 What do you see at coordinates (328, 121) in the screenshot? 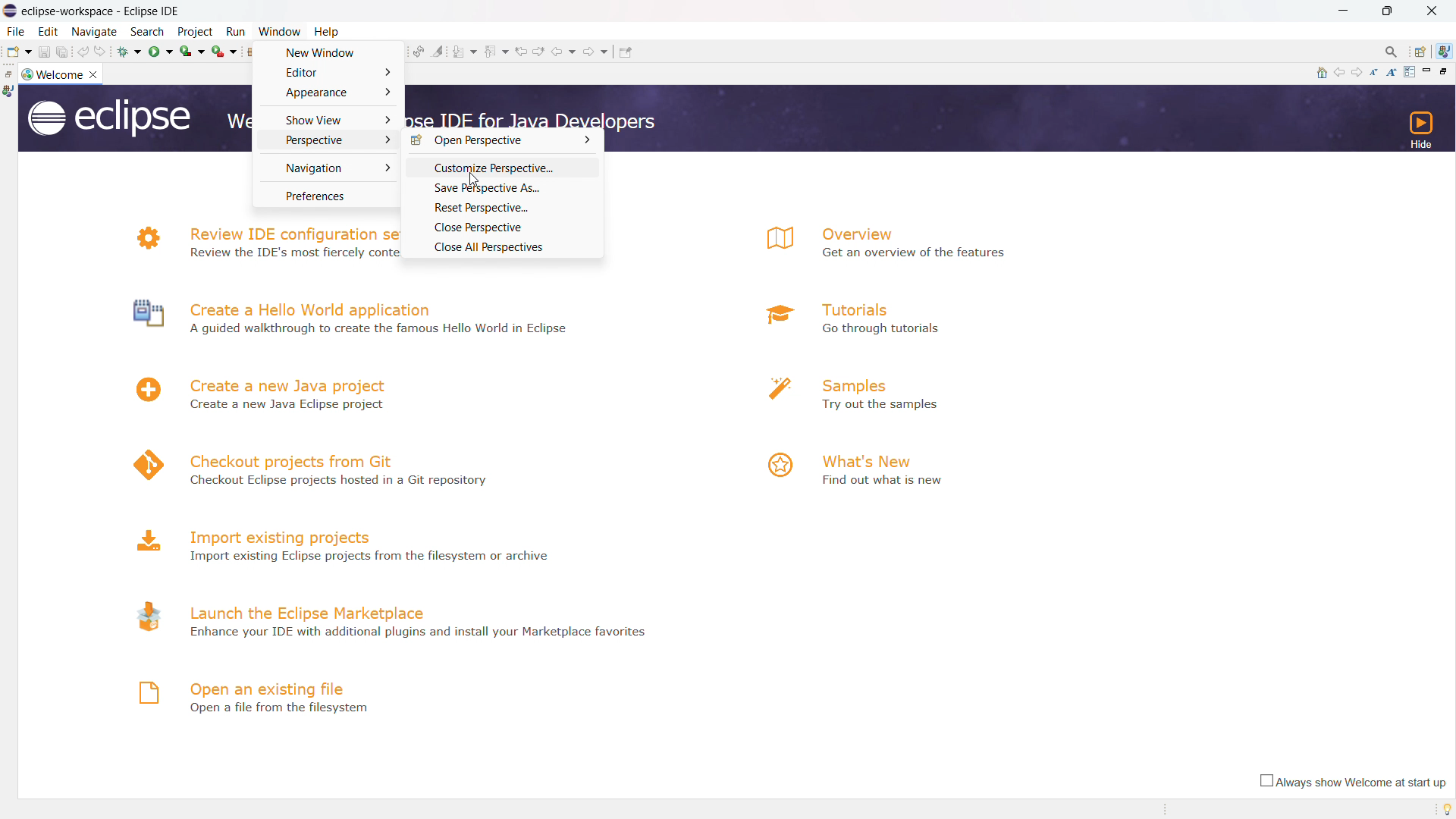
I see `show view` at bounding box center [328, 121].